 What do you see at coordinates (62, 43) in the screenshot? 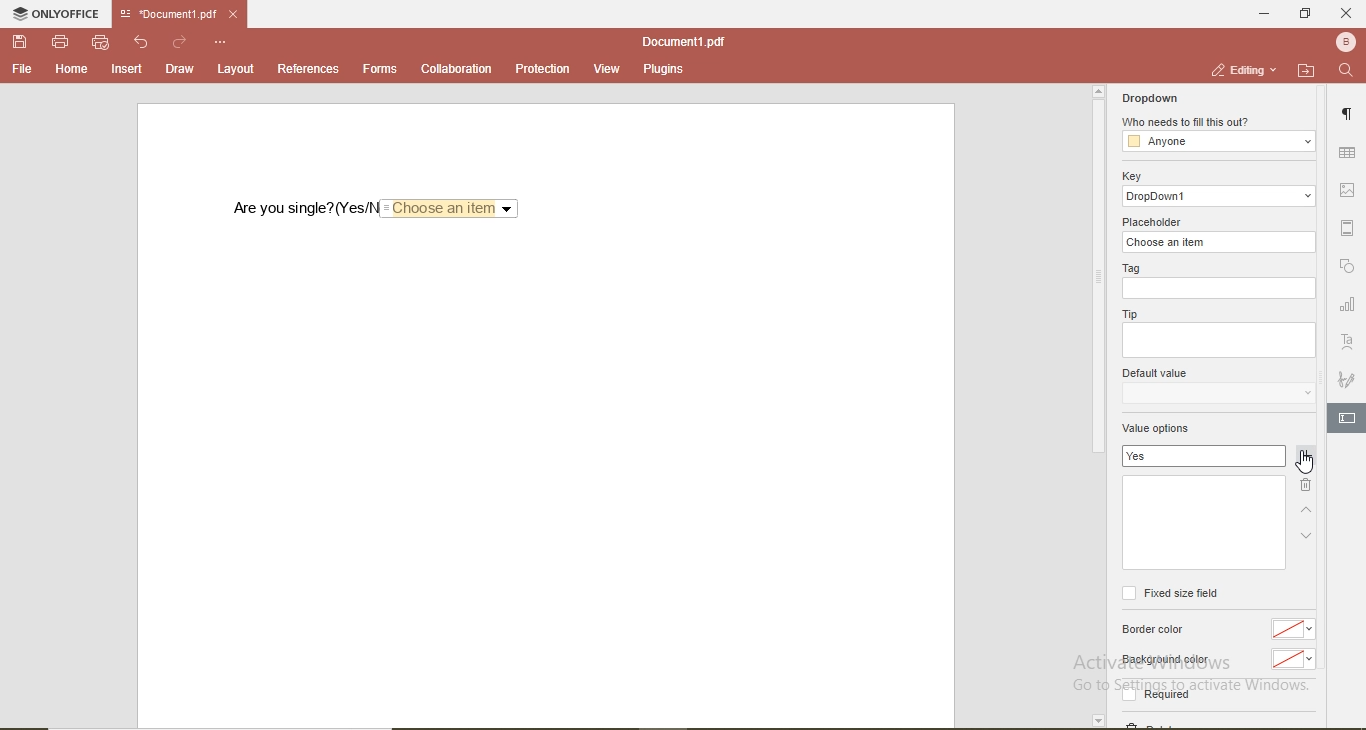
I see `print` at bounding box center [62, 43].